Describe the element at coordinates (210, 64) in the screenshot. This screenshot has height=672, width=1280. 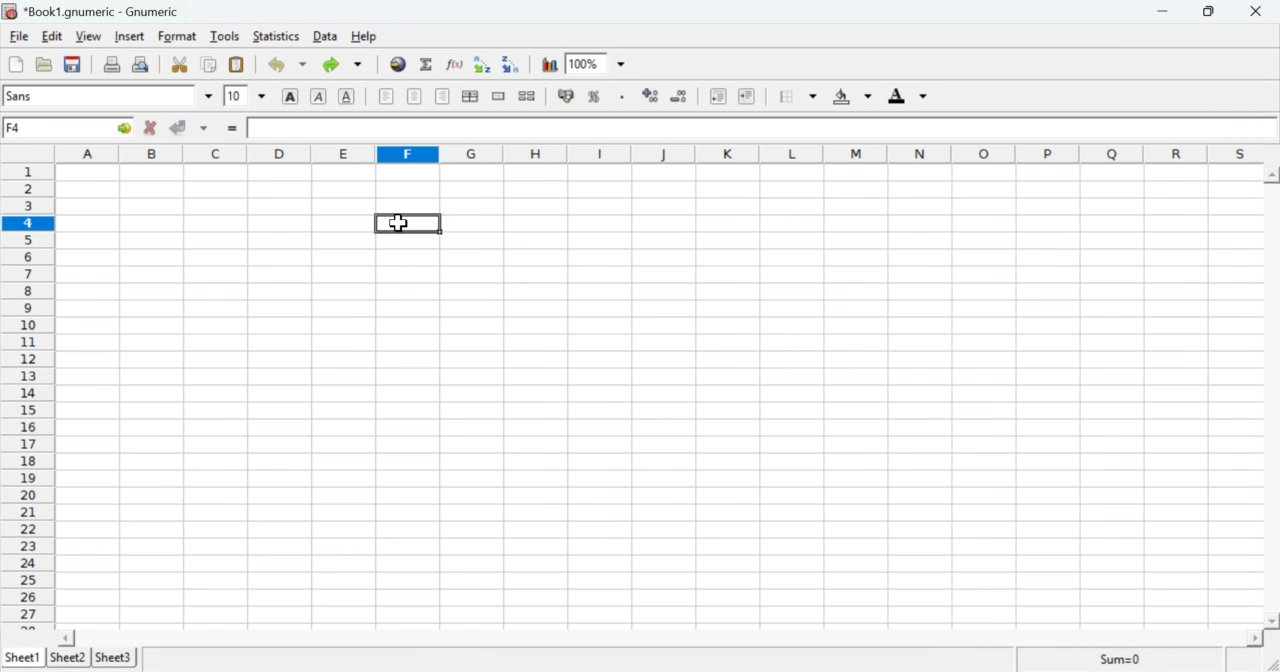
I see `Copy` at that location.